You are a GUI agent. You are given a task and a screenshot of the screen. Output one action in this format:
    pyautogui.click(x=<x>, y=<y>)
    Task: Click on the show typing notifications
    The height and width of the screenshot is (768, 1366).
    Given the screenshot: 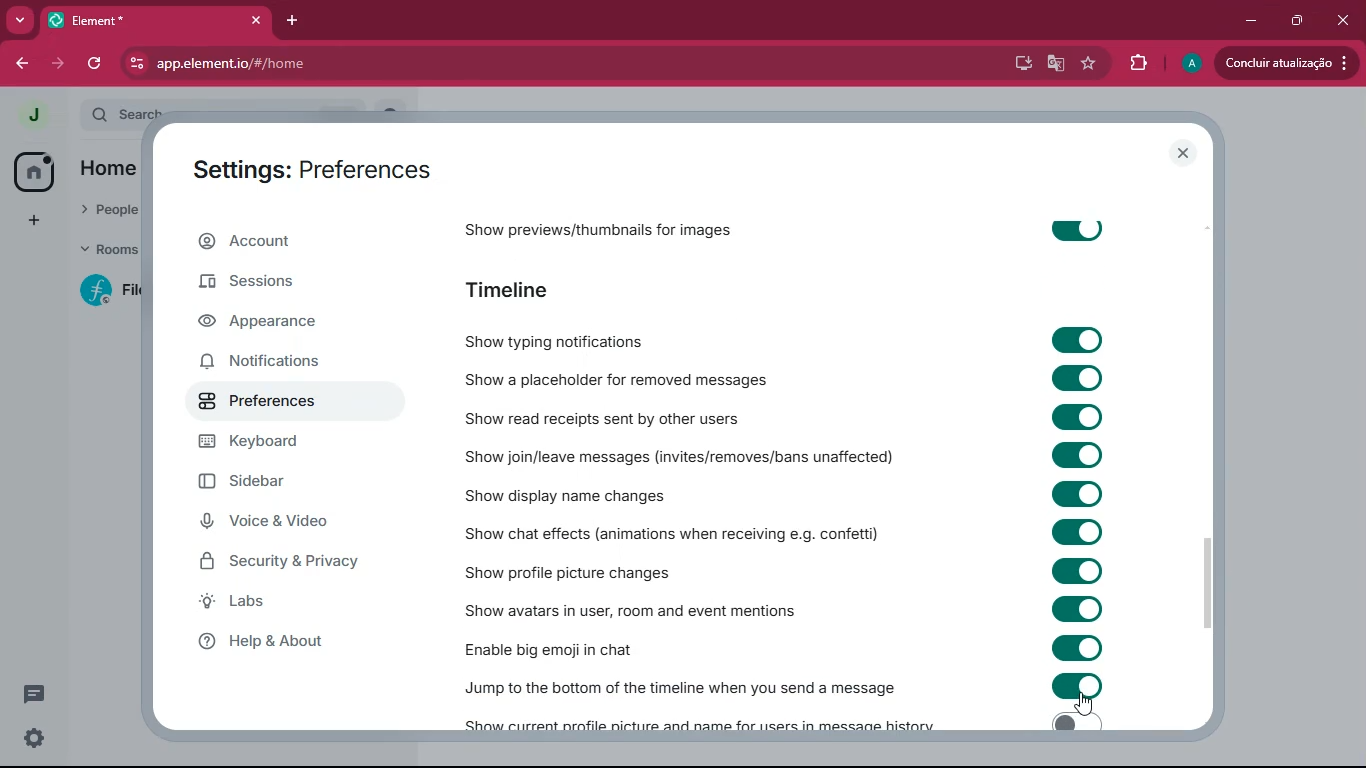 What is the action you would take?
    pyautogui.click(x=563, y=340)
    